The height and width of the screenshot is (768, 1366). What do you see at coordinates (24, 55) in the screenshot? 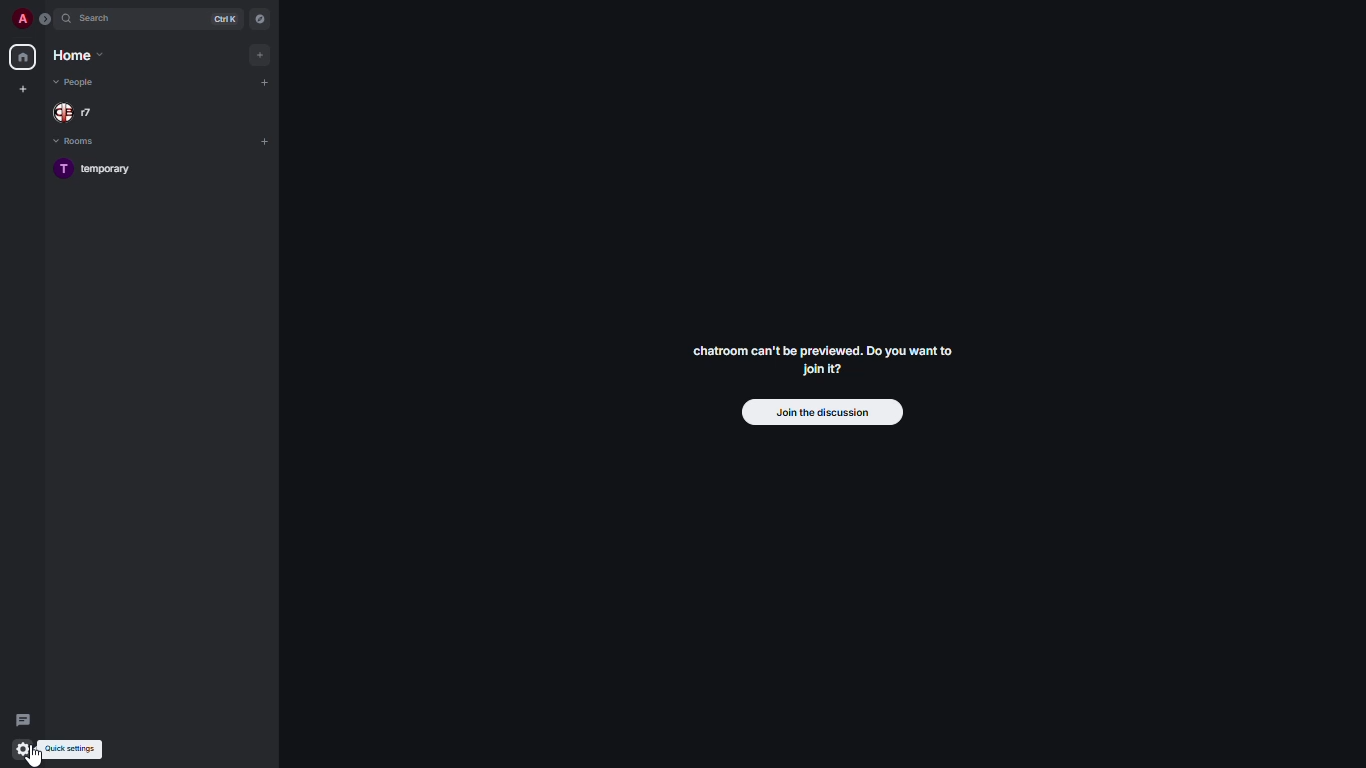
I see `home` at bounding box center [24, 55].